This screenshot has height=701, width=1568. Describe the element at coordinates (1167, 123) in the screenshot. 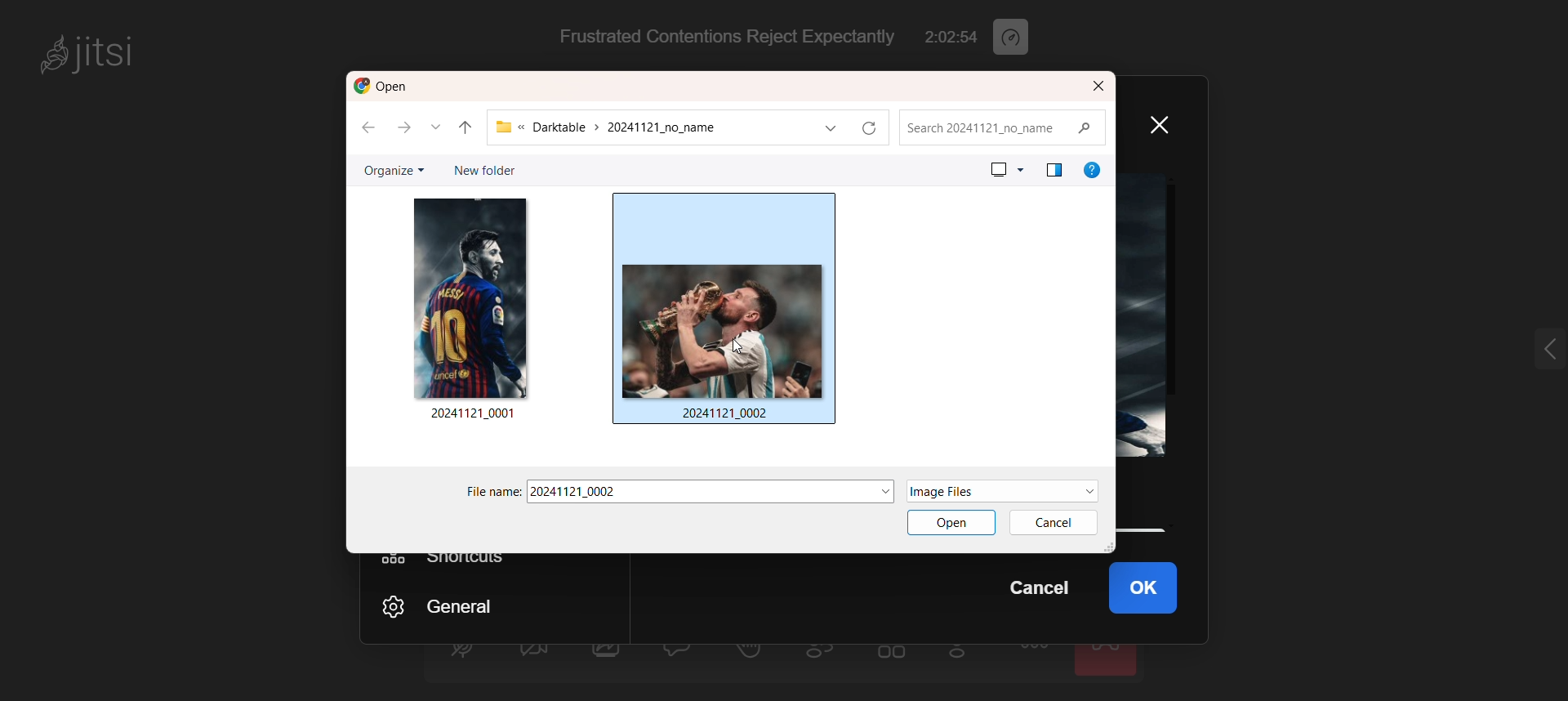

I see `close` at that location.